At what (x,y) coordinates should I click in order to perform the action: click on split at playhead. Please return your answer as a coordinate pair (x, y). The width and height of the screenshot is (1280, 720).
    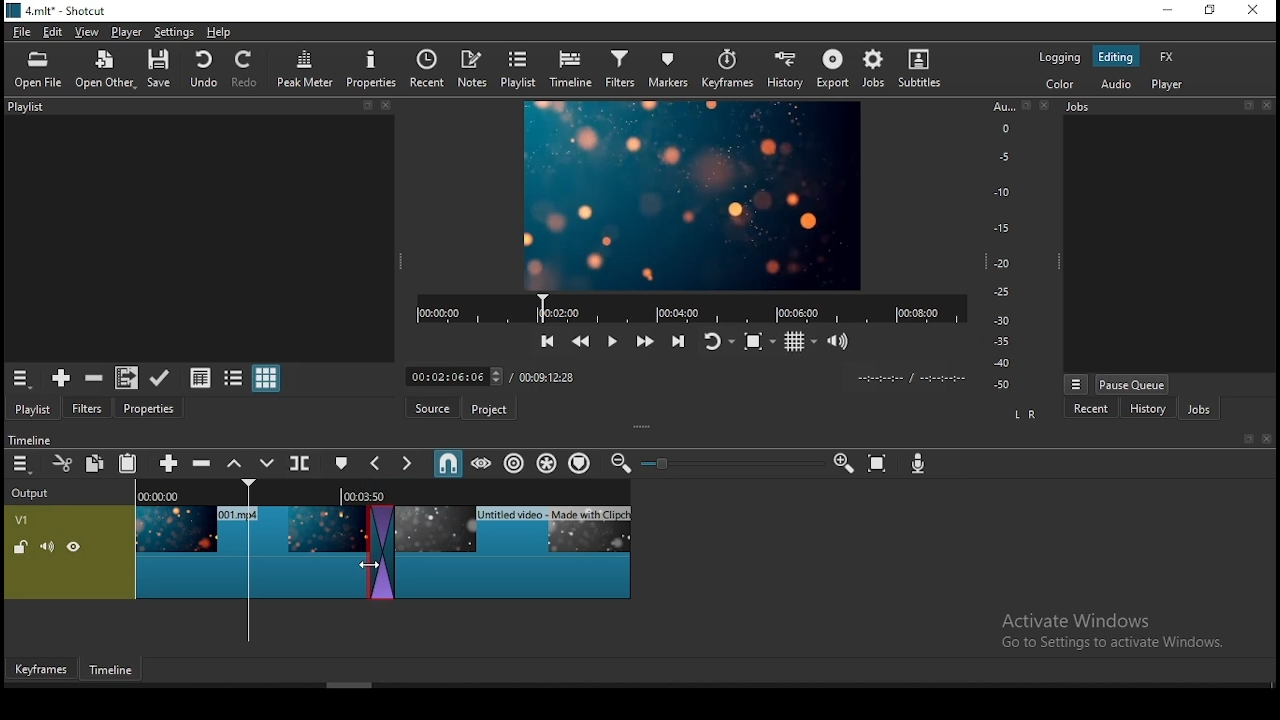
    Looking at the image, I should click on (302, 462).